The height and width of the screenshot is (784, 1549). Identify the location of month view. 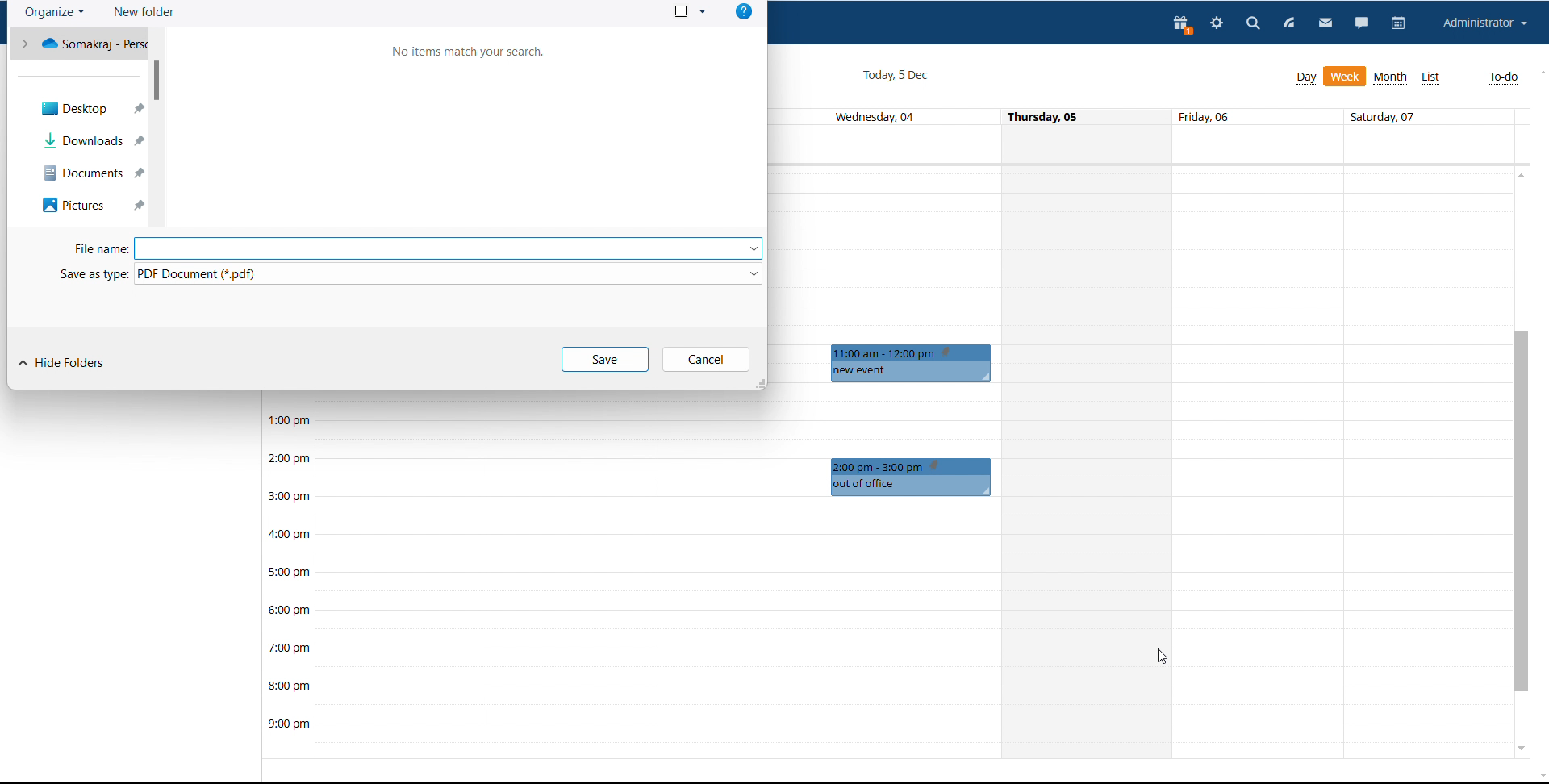
(1392, 77).